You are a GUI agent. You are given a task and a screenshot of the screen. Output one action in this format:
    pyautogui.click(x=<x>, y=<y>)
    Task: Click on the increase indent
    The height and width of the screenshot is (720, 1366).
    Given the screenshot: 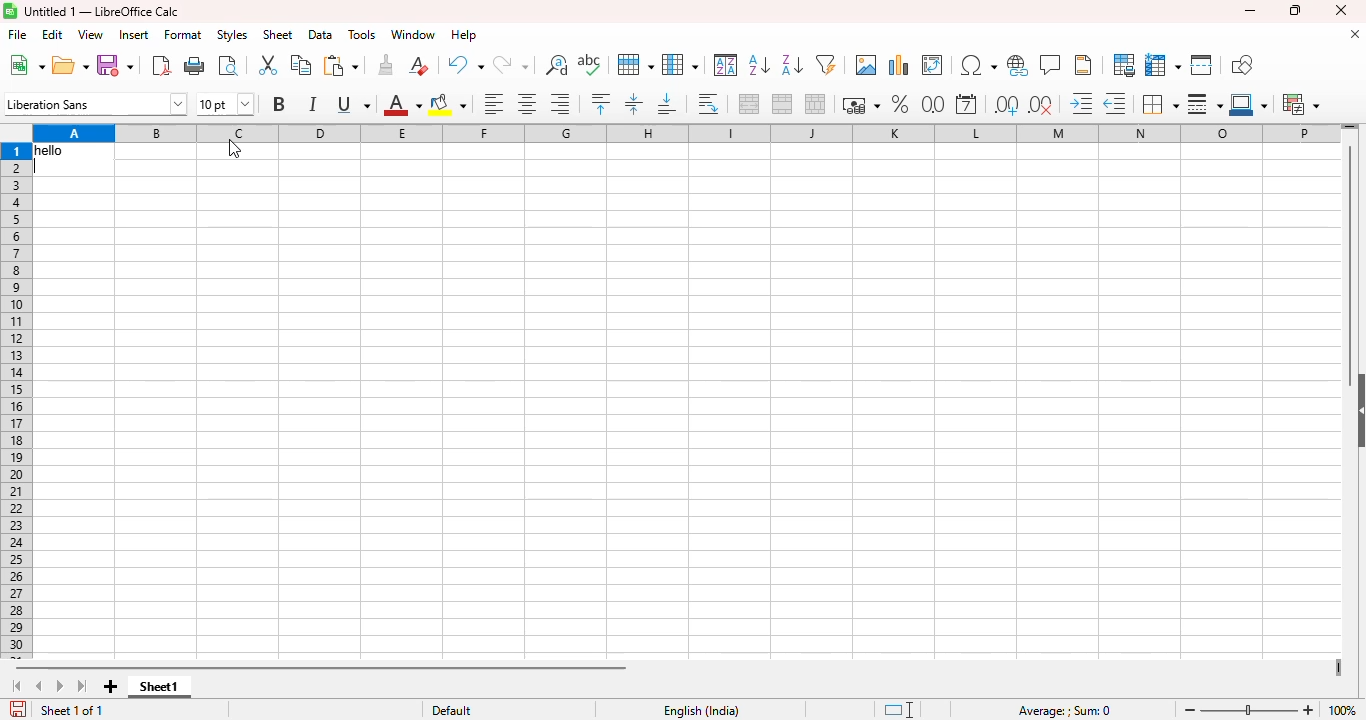 What is the action you would take?
    pyautogui.click(x=1081, y=103)
    